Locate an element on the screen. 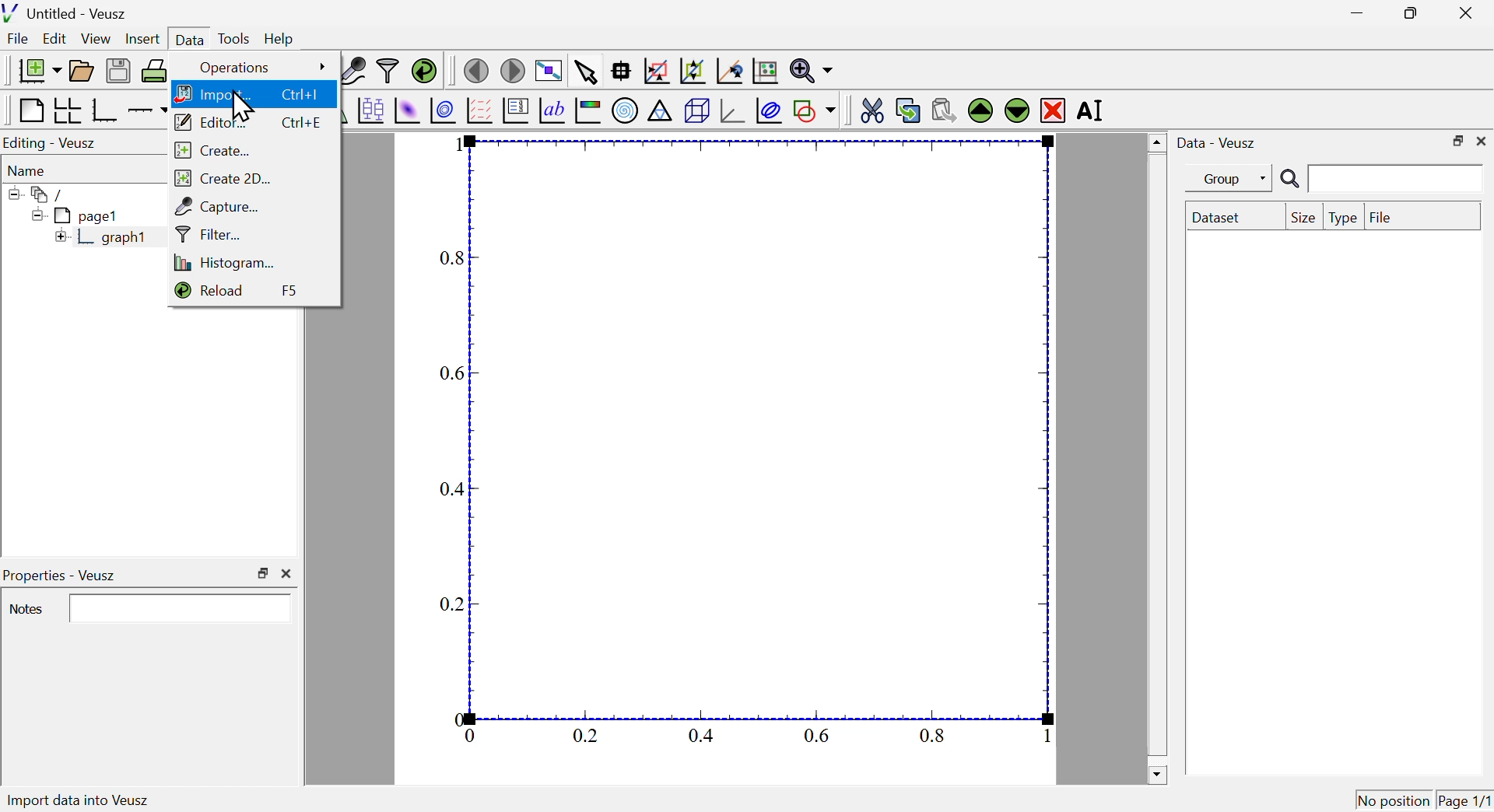 The image size is (1494, 812). cursor is located at coordinates (242, 107).